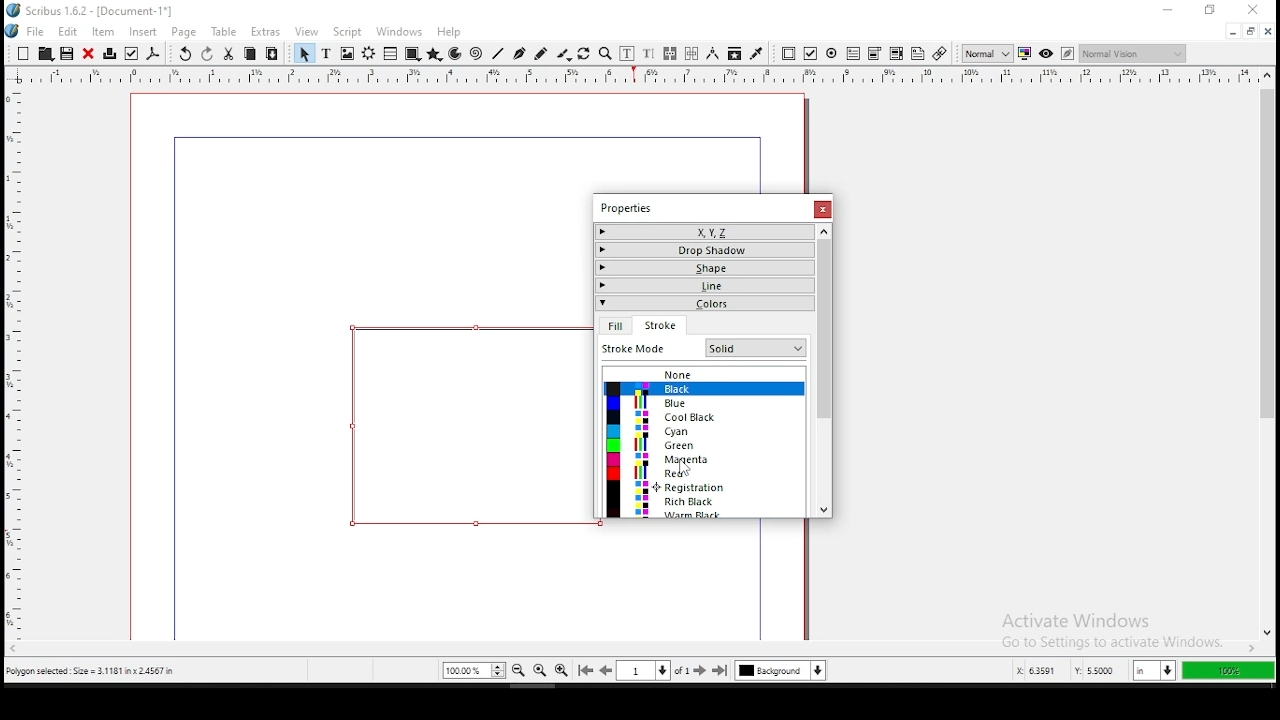  I want to click on calligraphy line, so click(564, 54).